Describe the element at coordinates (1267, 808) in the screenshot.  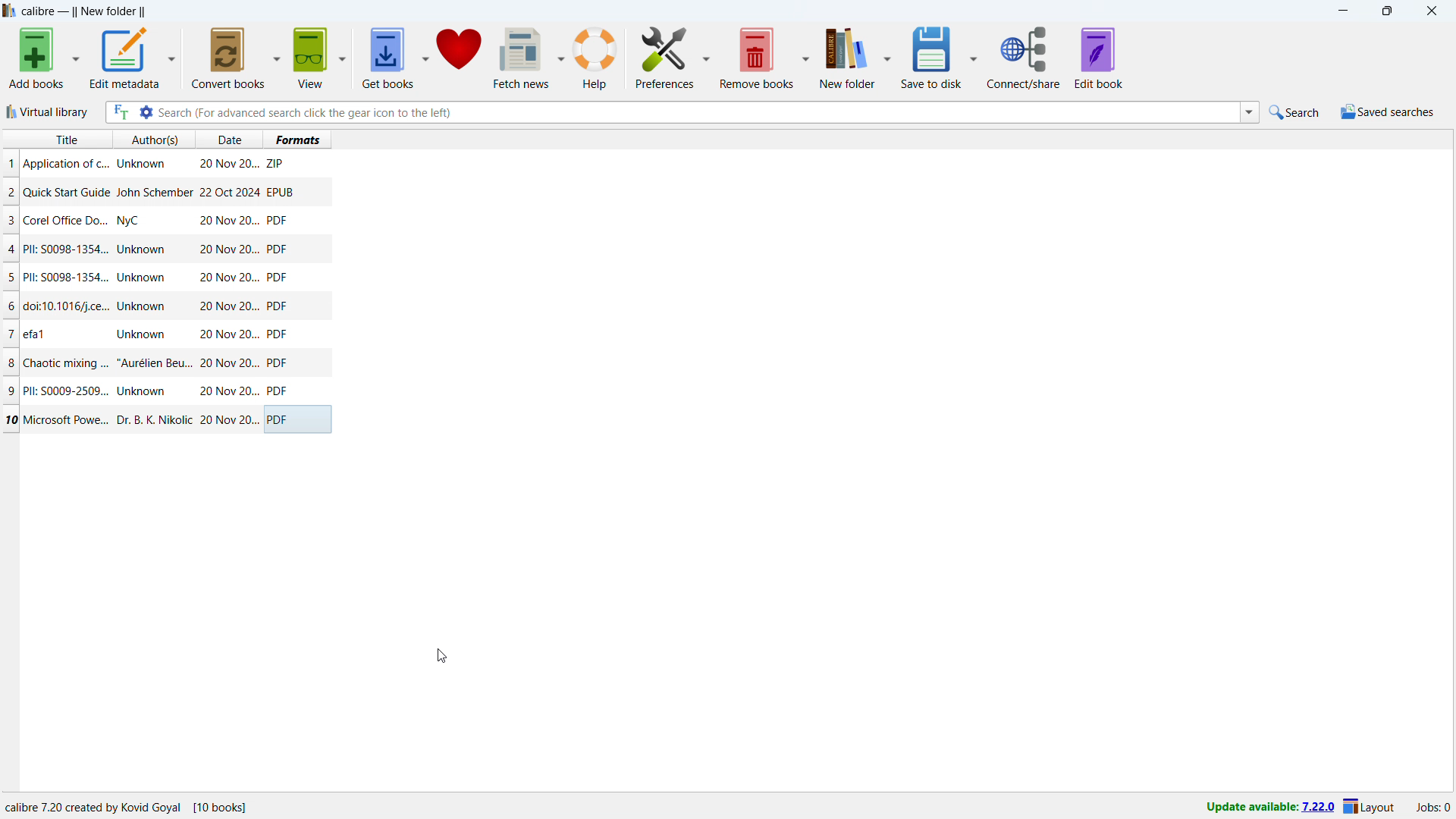
I see `Update available 7.22.0` at that location.